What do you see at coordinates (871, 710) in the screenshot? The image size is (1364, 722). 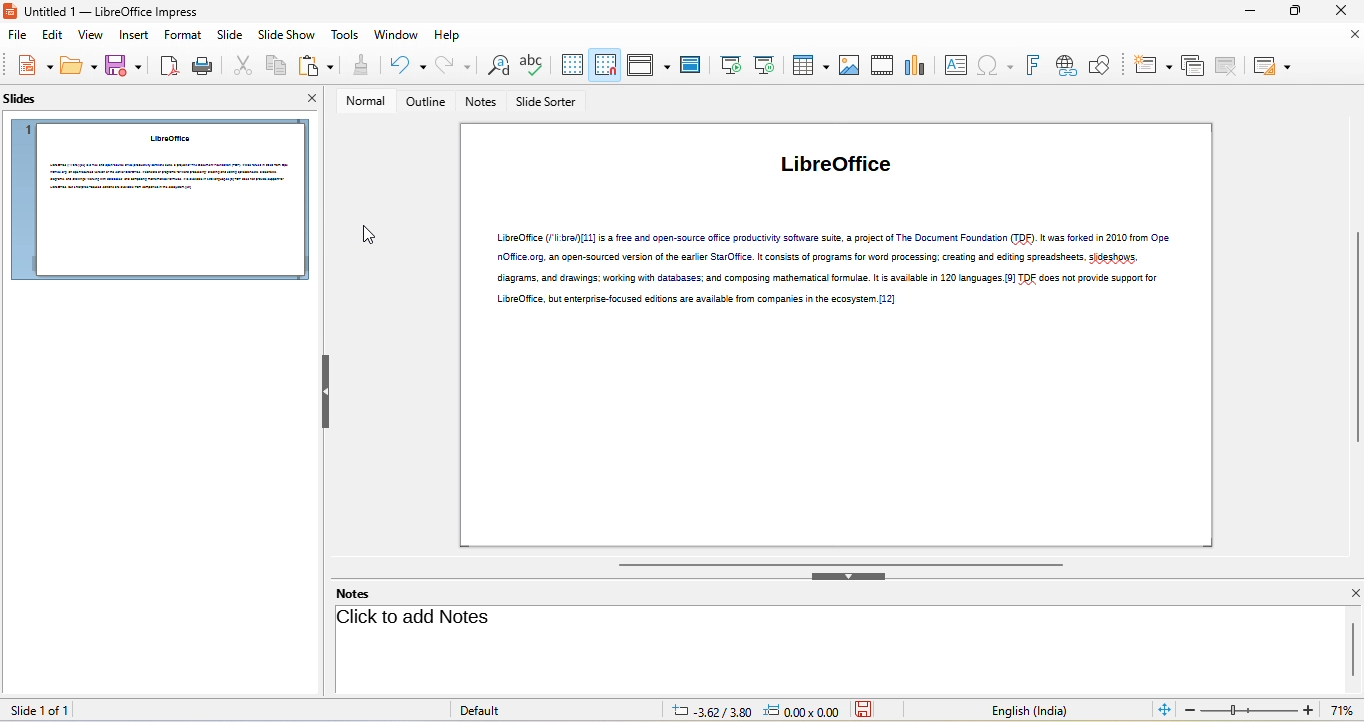 I see `the document has not been modified since the last save` at bounding box center [871, 710].